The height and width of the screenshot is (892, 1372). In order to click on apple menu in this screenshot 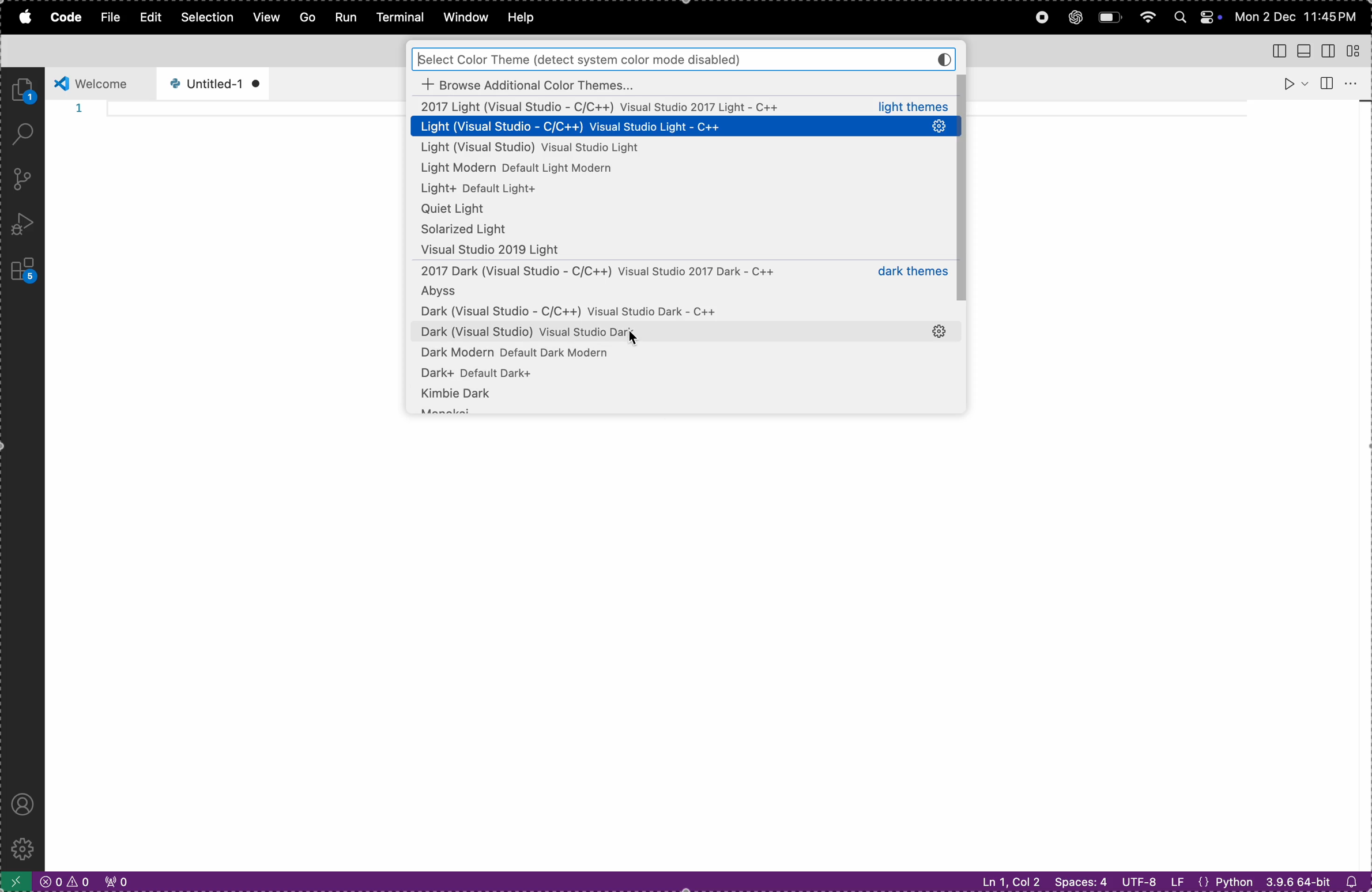, I will do `click(22, 19)`.